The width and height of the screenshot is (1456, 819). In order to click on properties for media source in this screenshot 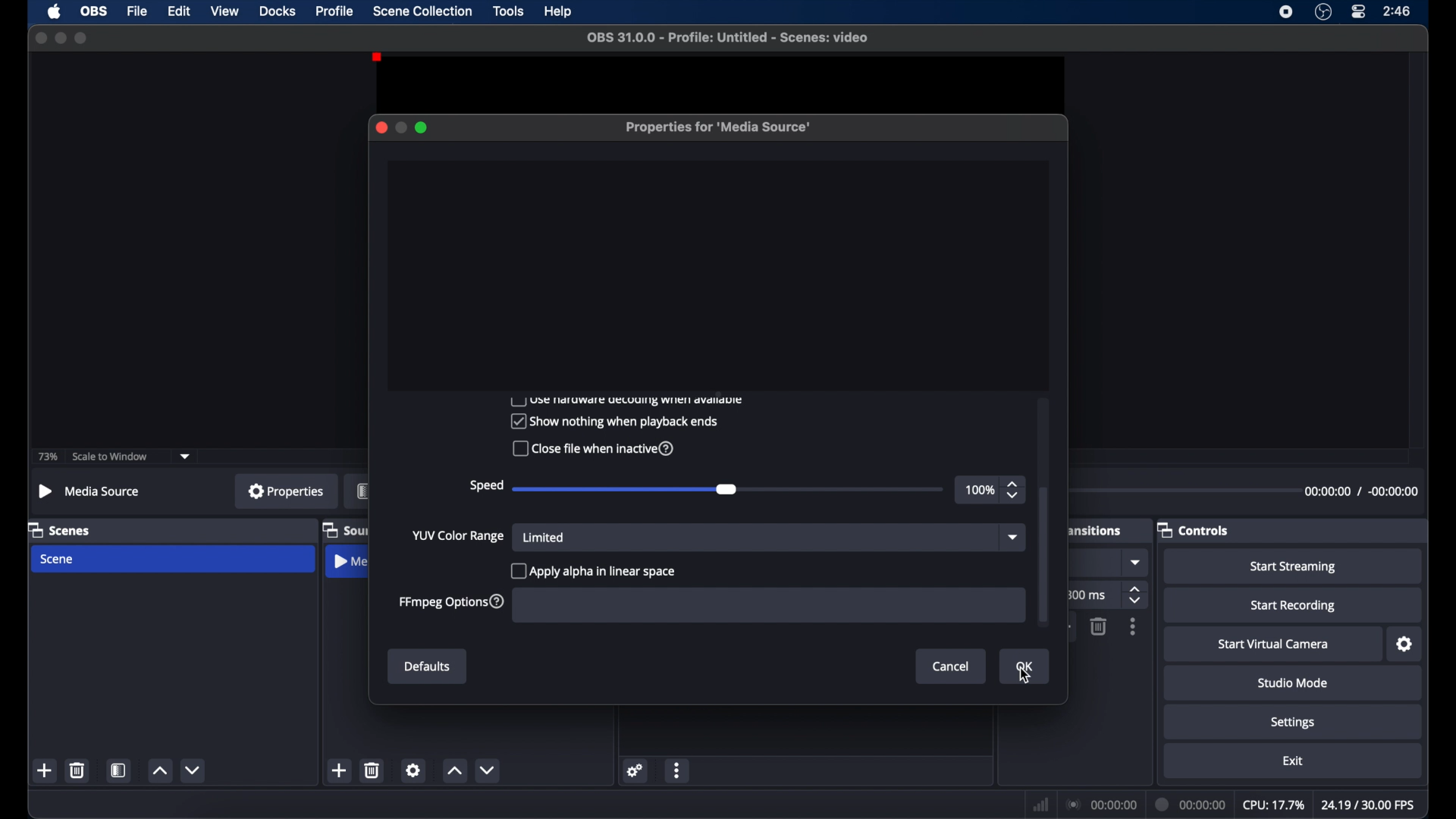, I will do `click(720, 128)`.